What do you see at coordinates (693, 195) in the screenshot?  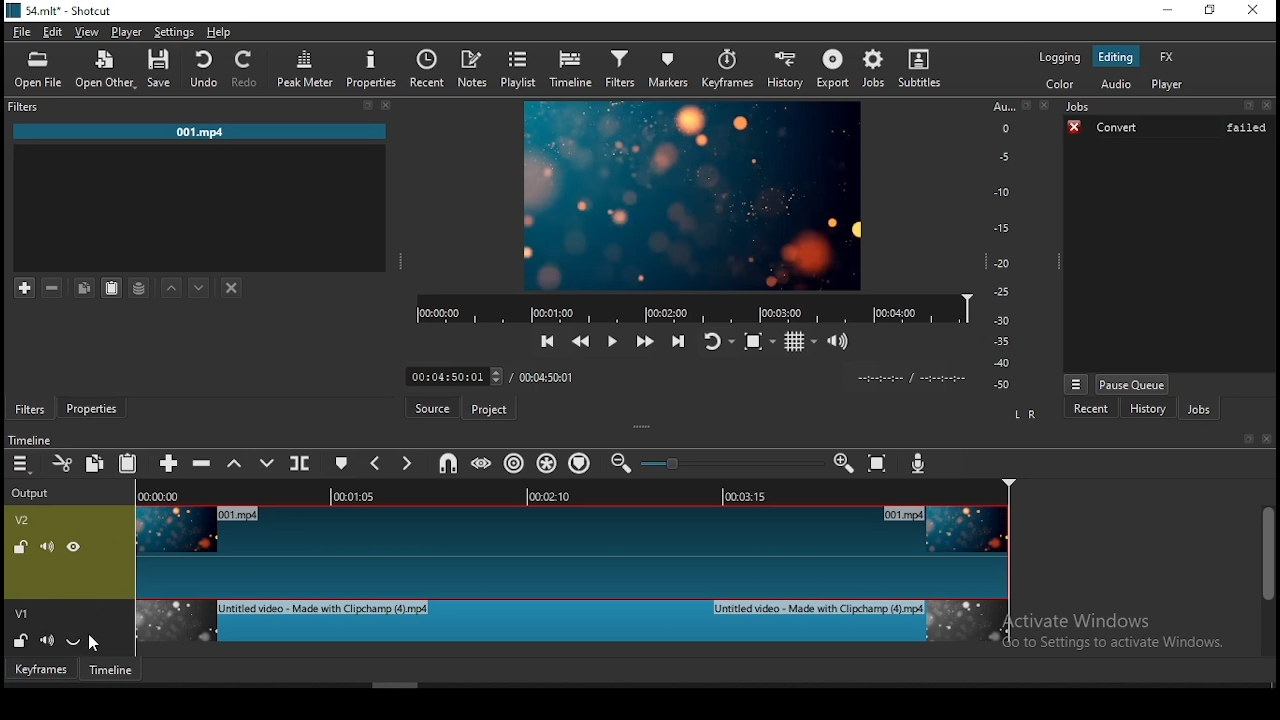 I see `video` at bounding box center [693, 195].